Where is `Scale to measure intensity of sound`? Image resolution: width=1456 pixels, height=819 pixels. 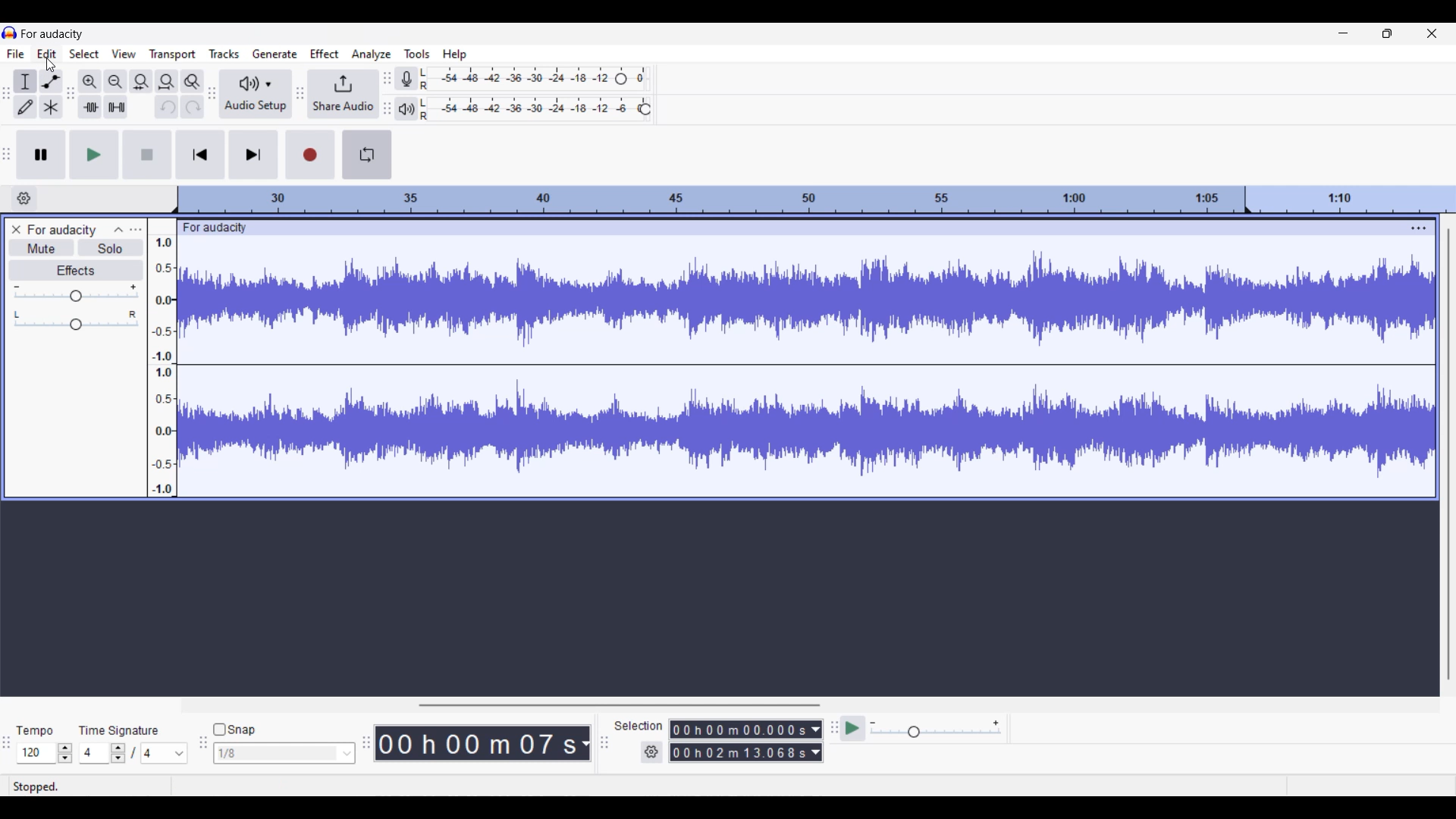 Scale to measure intensity of sound is located at coordinates (163, 366).